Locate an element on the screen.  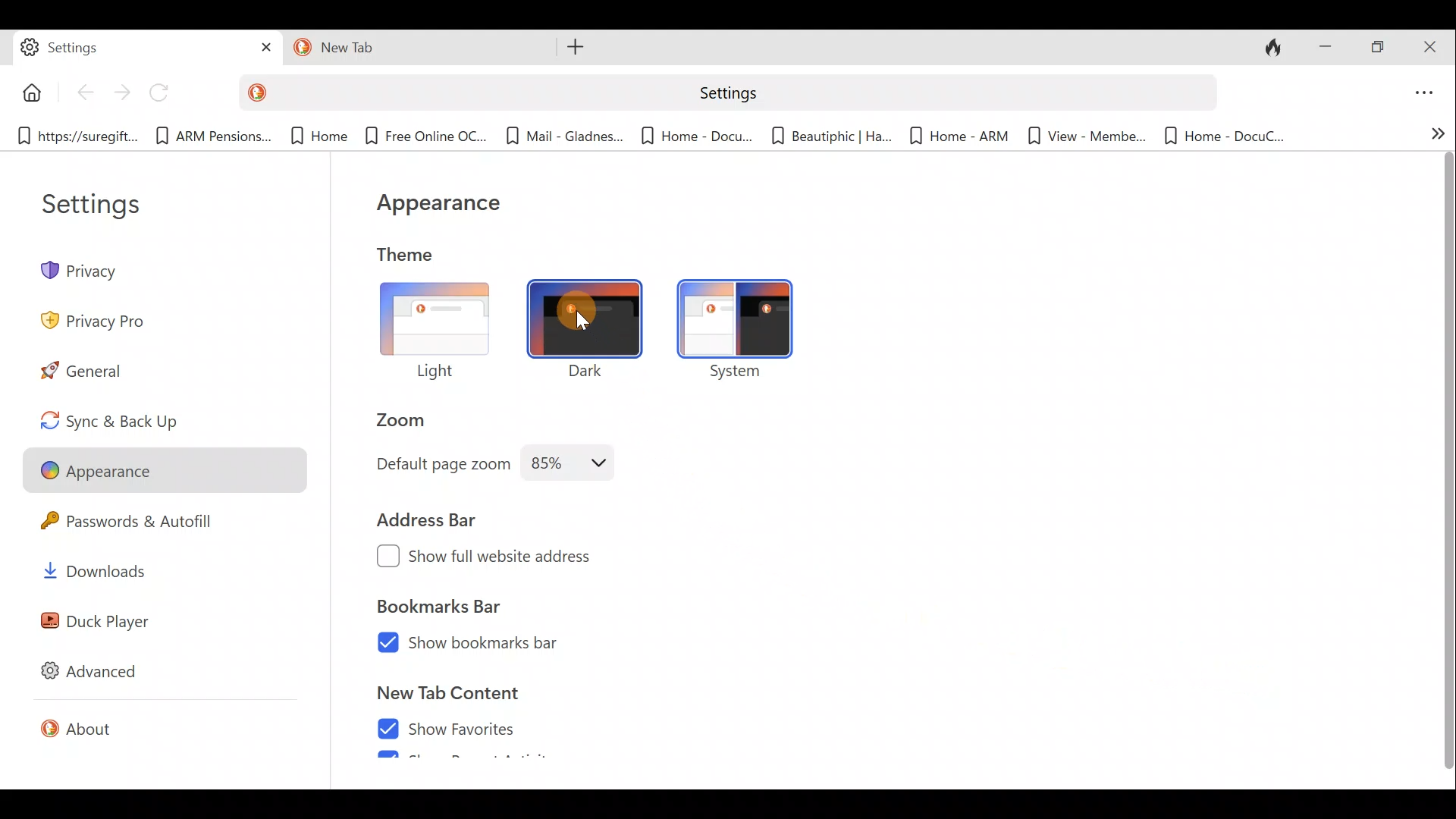
Reload page is located at coordinates (166, 93).